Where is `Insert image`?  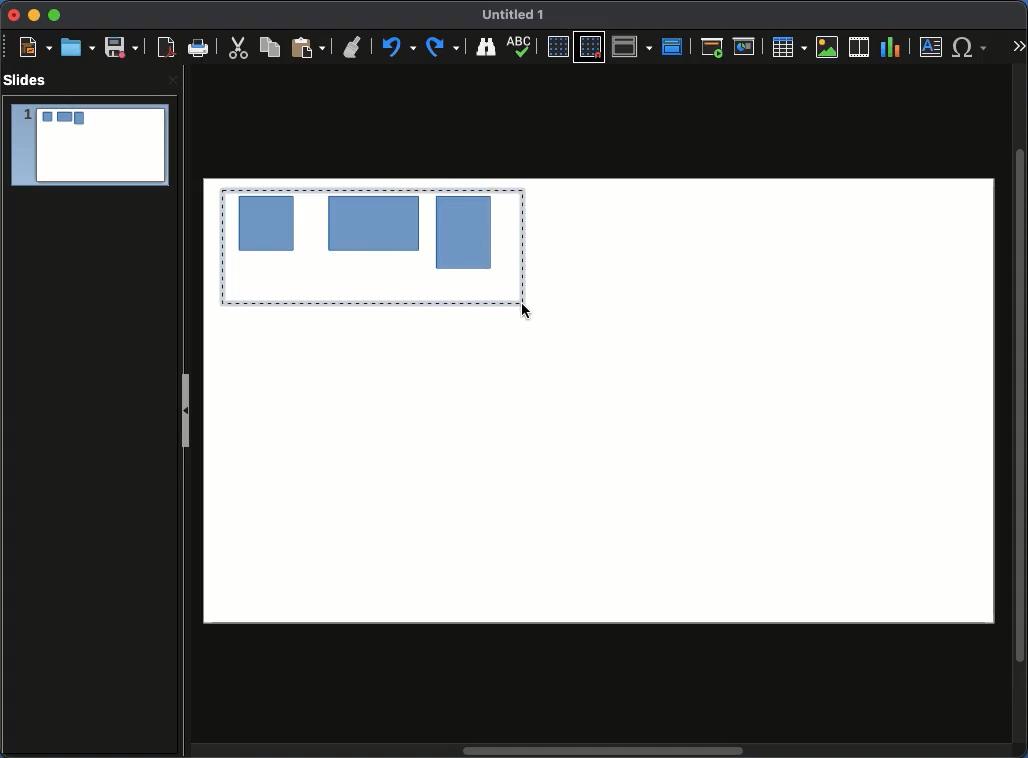 Insert image is located at coordinates (827, 47).